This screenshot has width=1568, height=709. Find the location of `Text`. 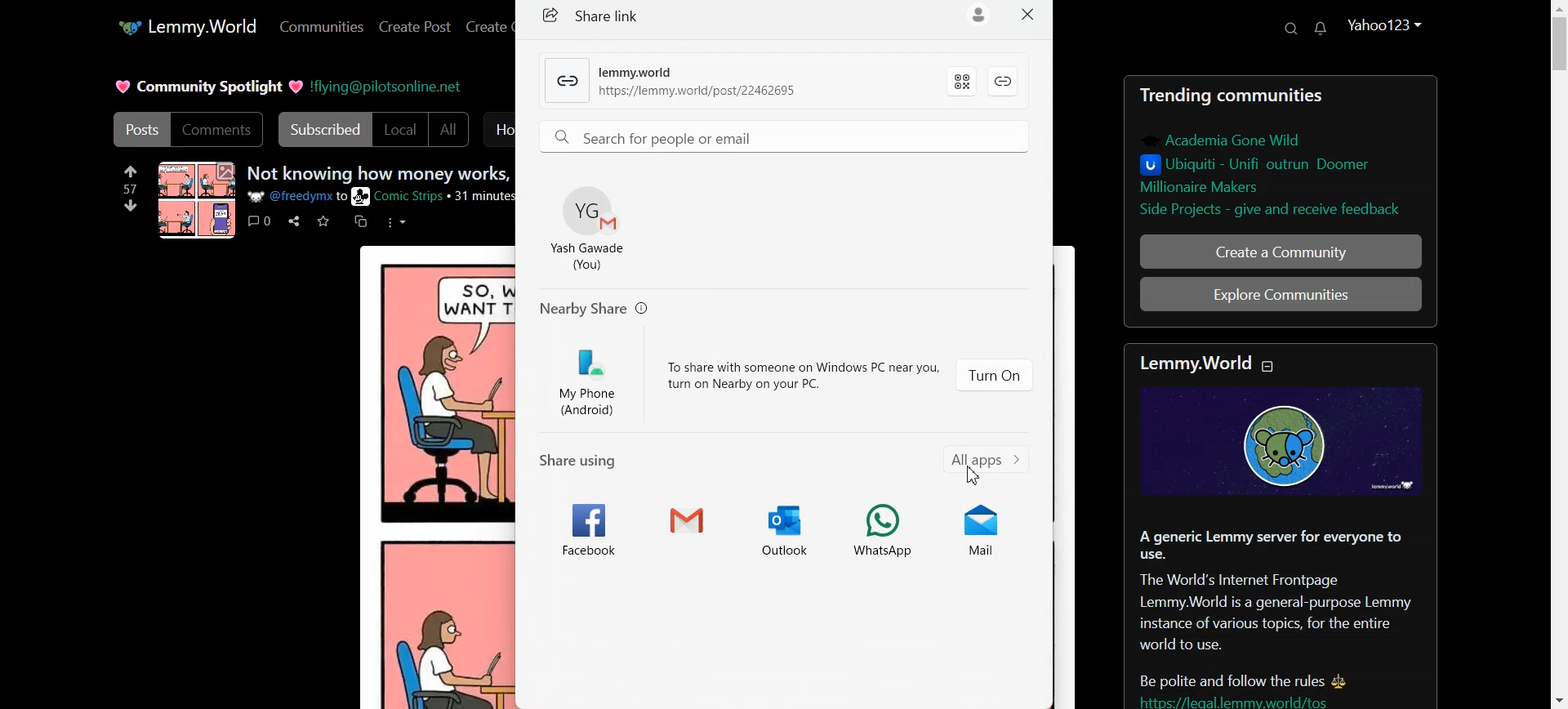

Text is located at coordinates (585, 459).